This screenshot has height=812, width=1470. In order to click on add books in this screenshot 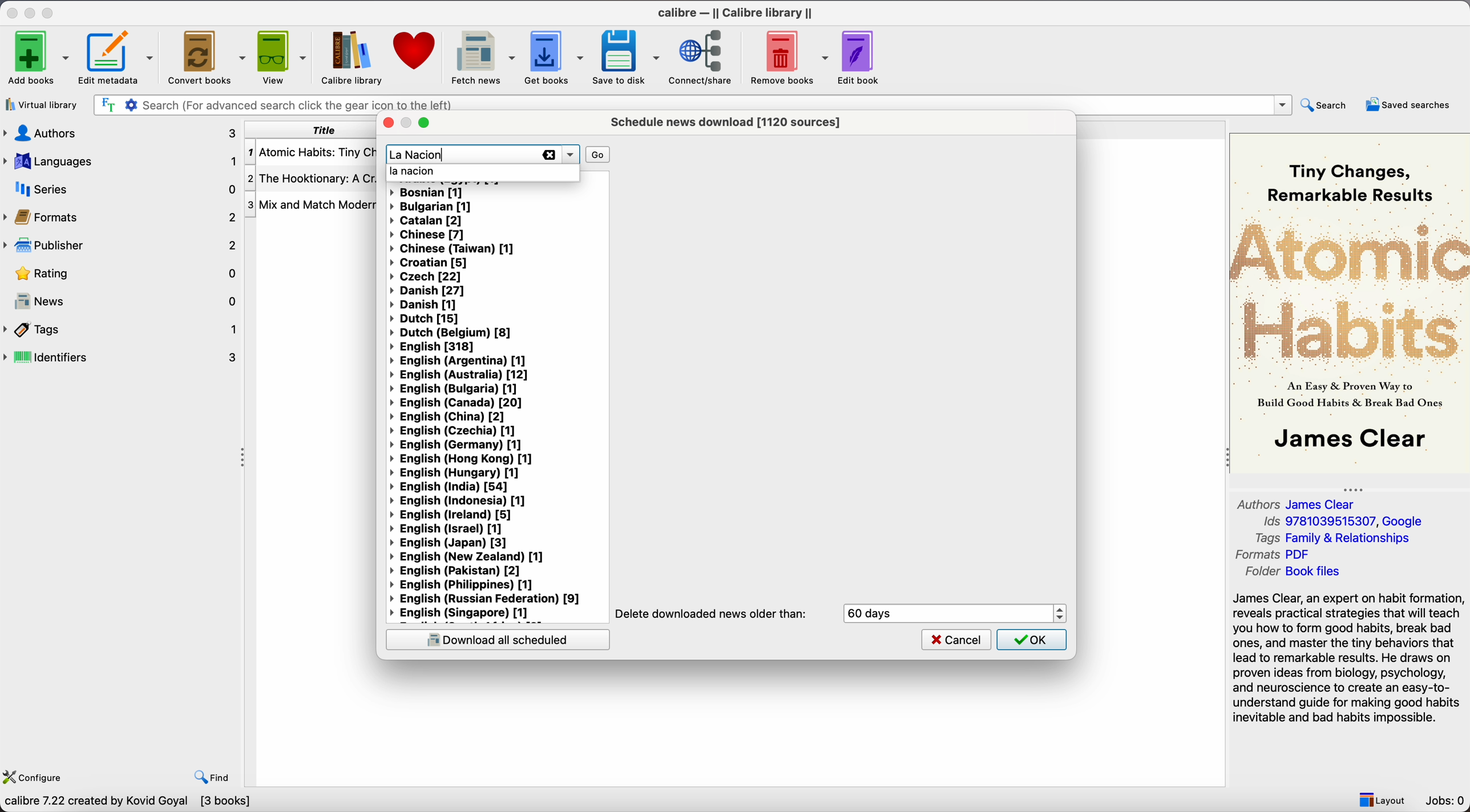, I will do `click(35, 56)`.